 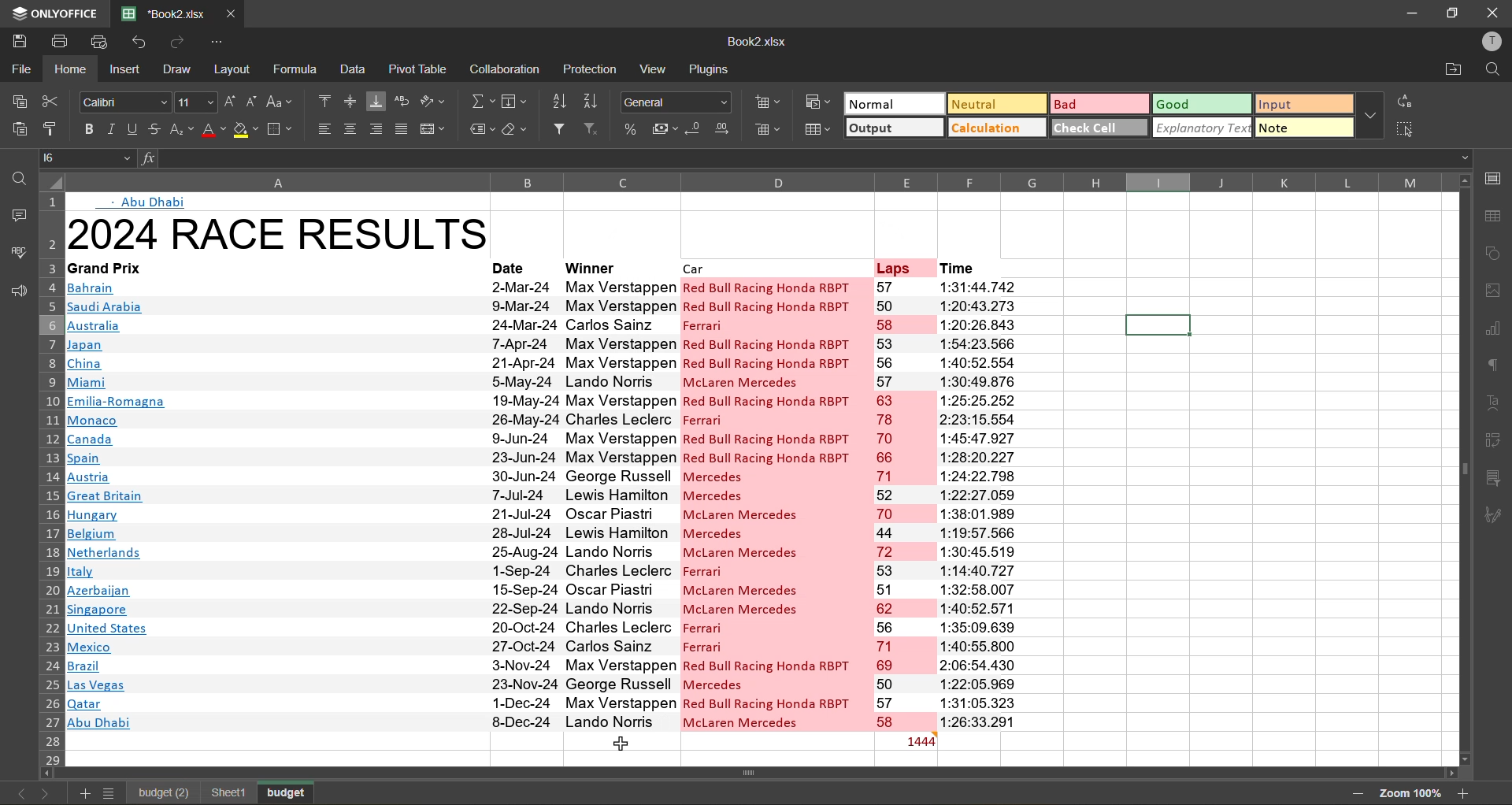 I want to click on decrement size, so click(x=254, y=102).